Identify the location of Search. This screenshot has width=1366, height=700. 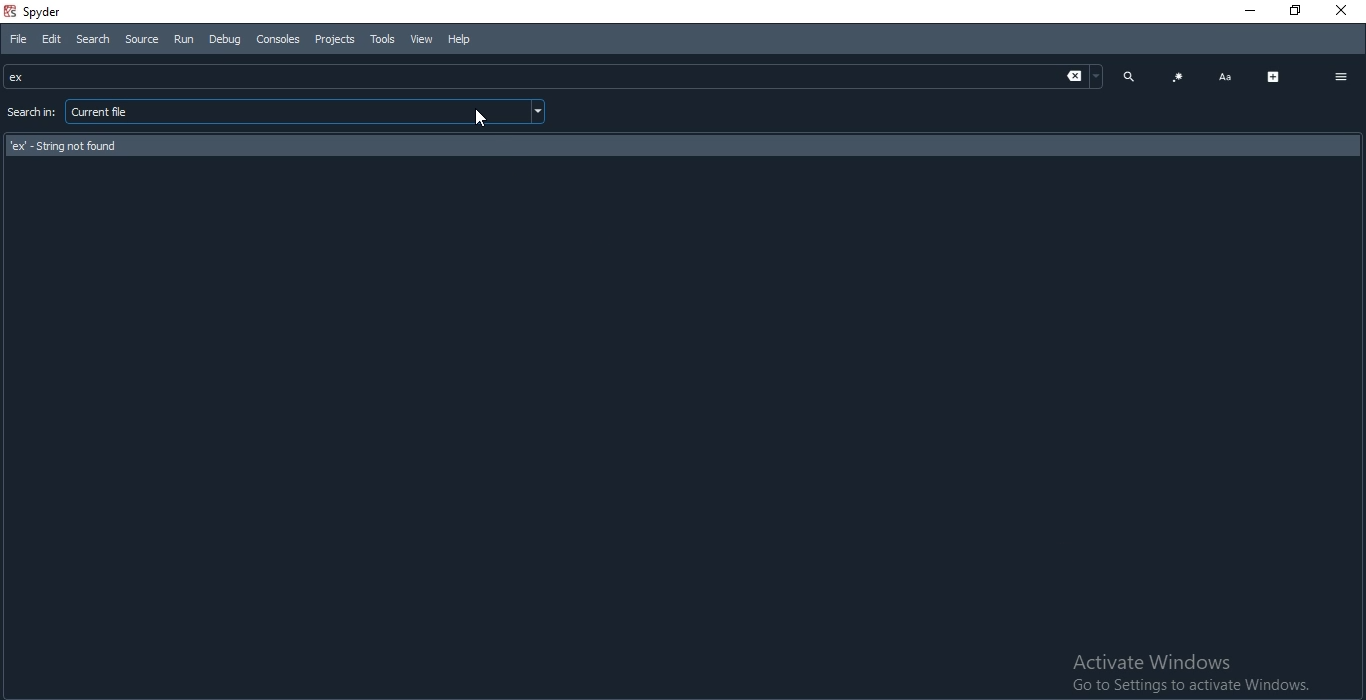
(92, 39).